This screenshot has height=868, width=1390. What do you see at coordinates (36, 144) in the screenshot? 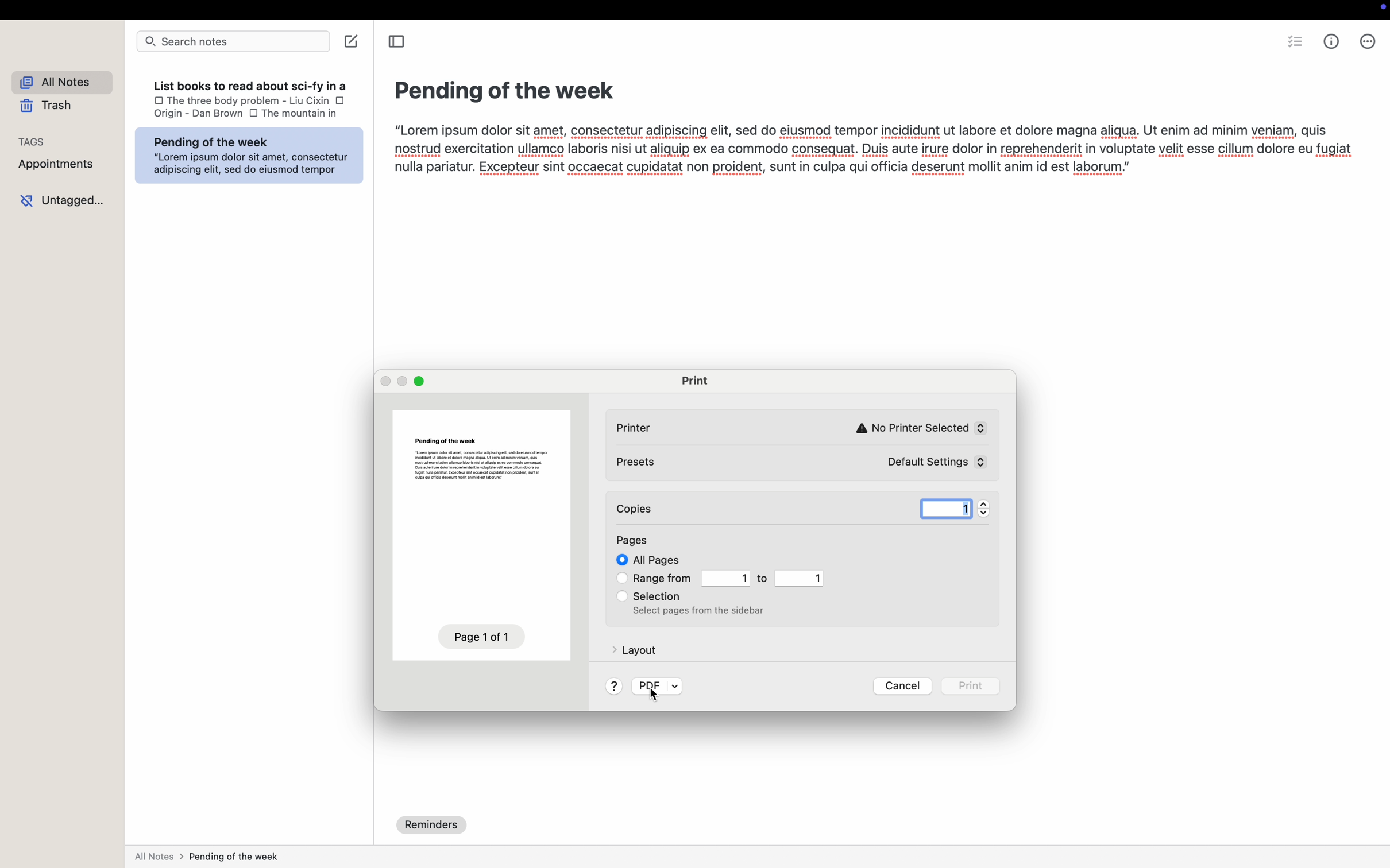
I see `tags` at bounding box center [36, 144].